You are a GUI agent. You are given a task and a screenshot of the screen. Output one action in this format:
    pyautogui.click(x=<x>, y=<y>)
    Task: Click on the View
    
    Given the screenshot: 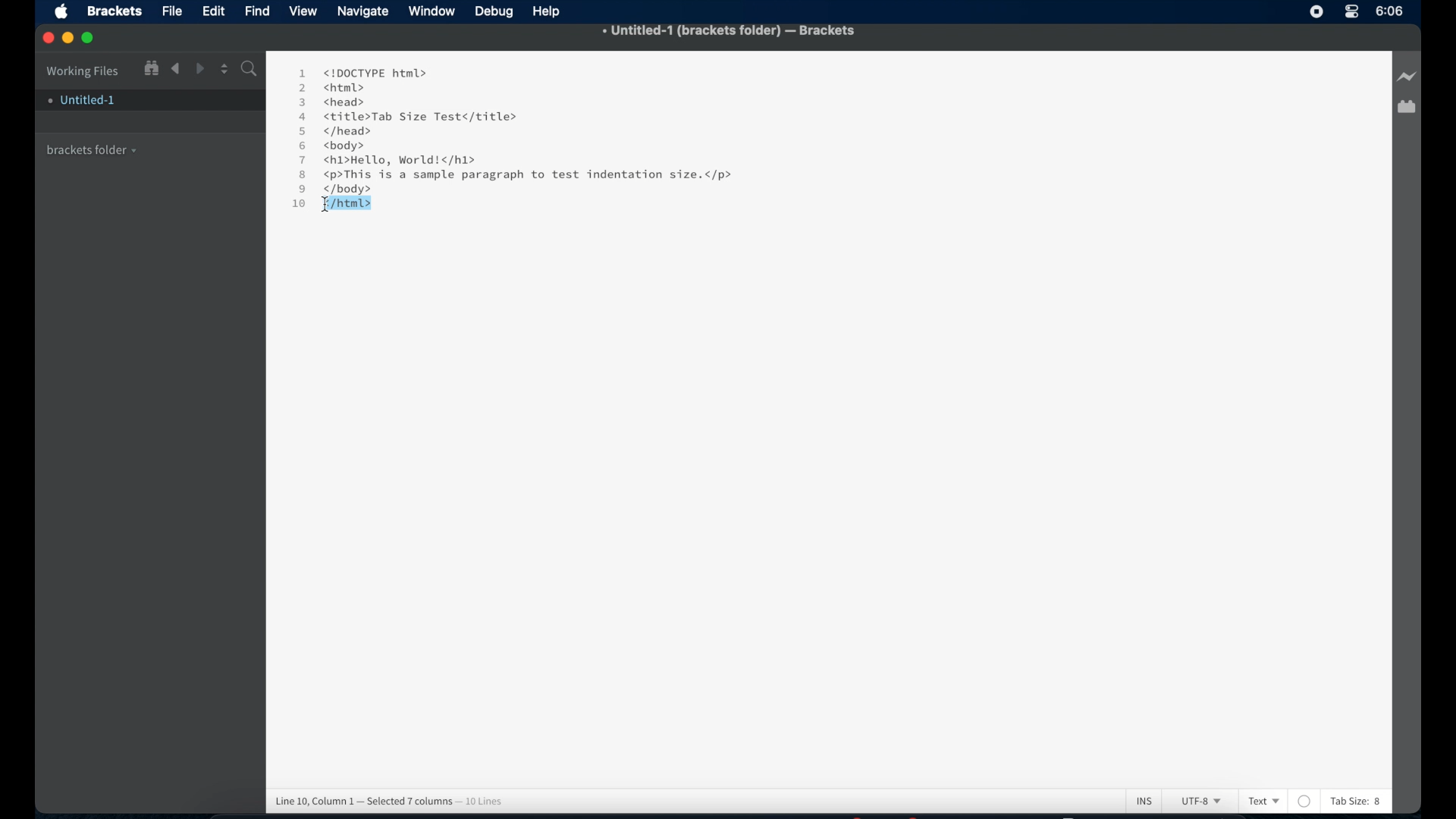 What is the action you would take?
    pyautogui.click(x=306, y=11)
    